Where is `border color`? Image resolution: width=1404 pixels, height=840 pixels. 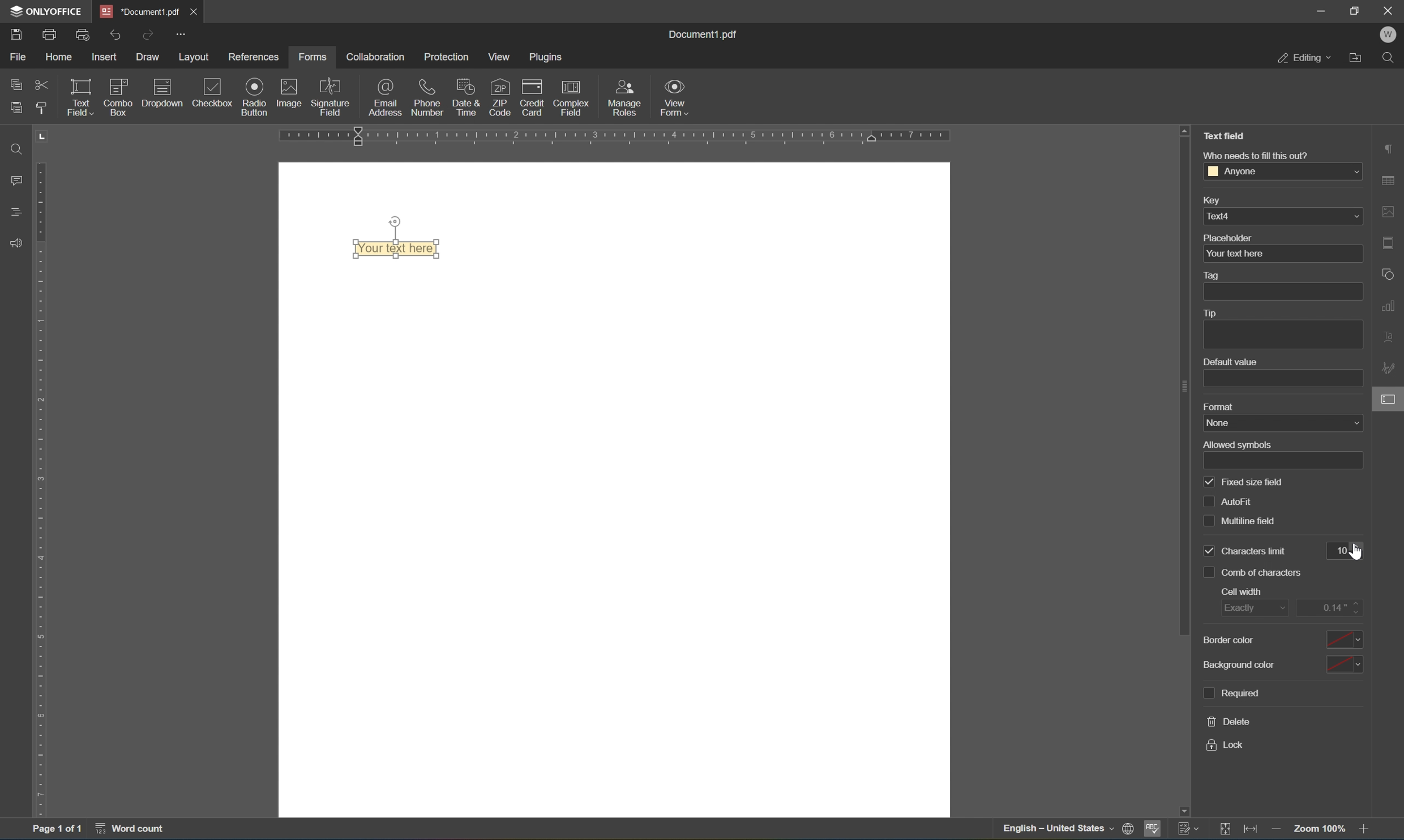 border color is located at coordinates (1281, 640).